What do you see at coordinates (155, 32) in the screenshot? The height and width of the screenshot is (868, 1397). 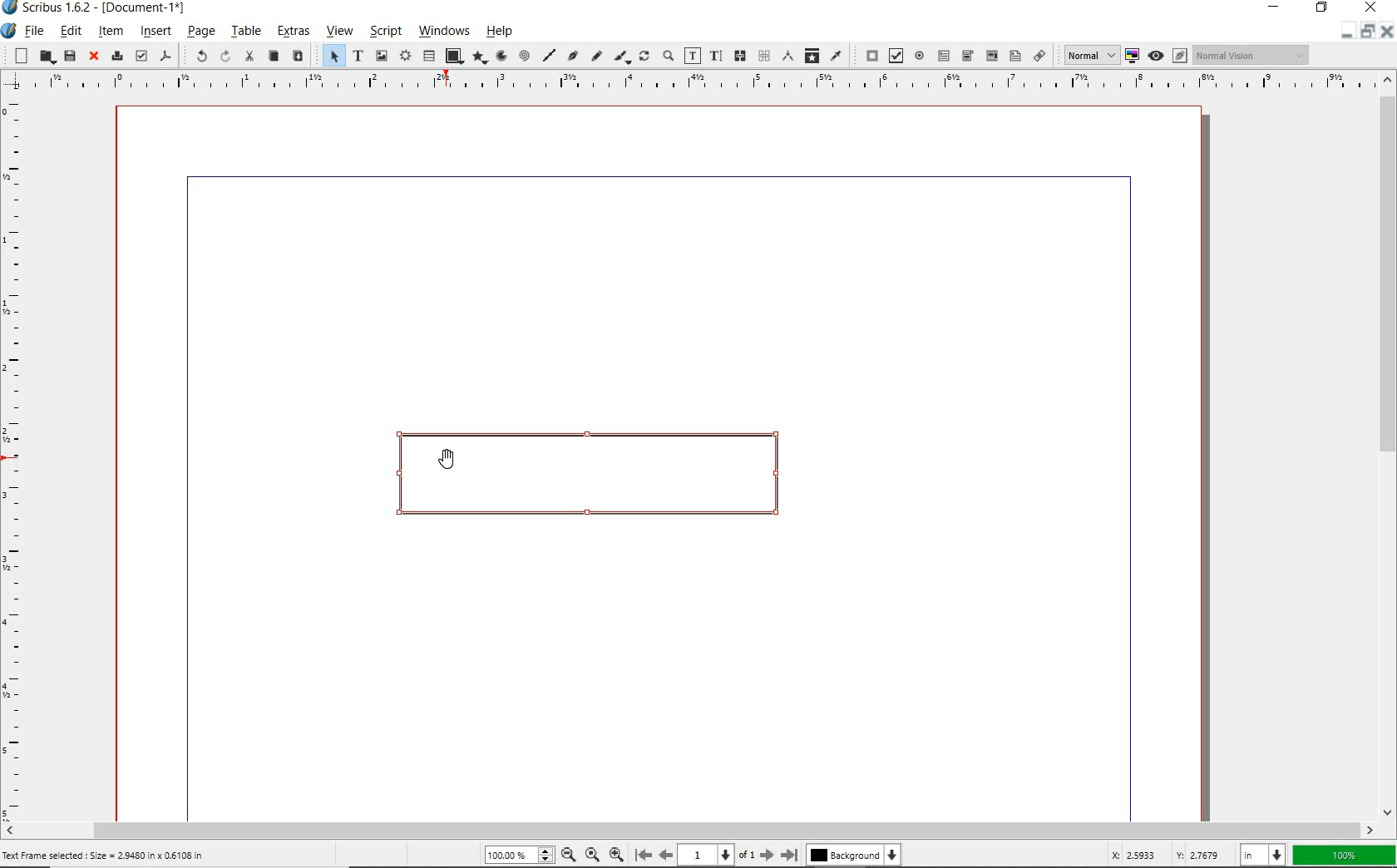 I see `insert` at bounding box center [155, 32].